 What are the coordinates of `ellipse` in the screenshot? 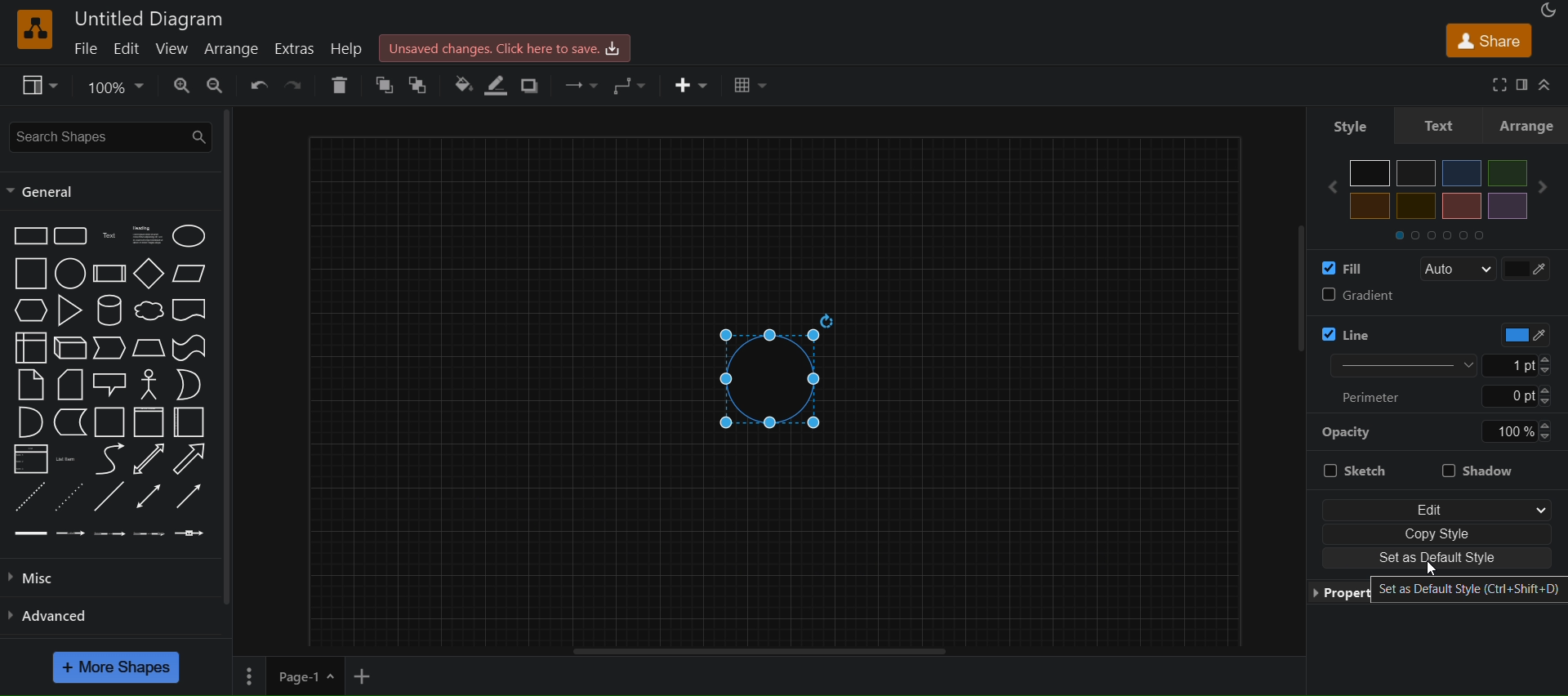 It's located at (192, 235).